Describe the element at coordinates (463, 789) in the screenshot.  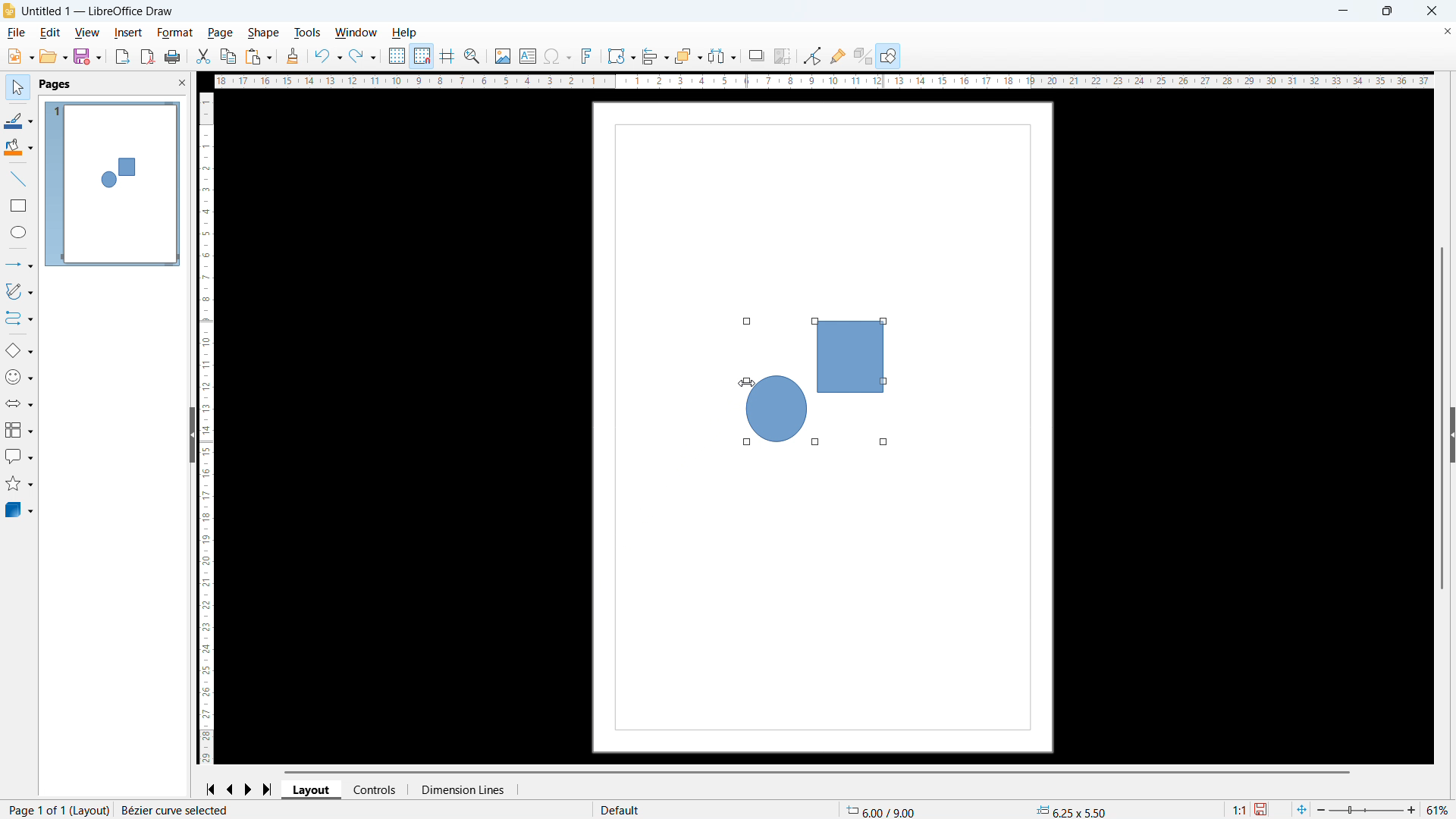
I see `Dimension lines ` at that location.